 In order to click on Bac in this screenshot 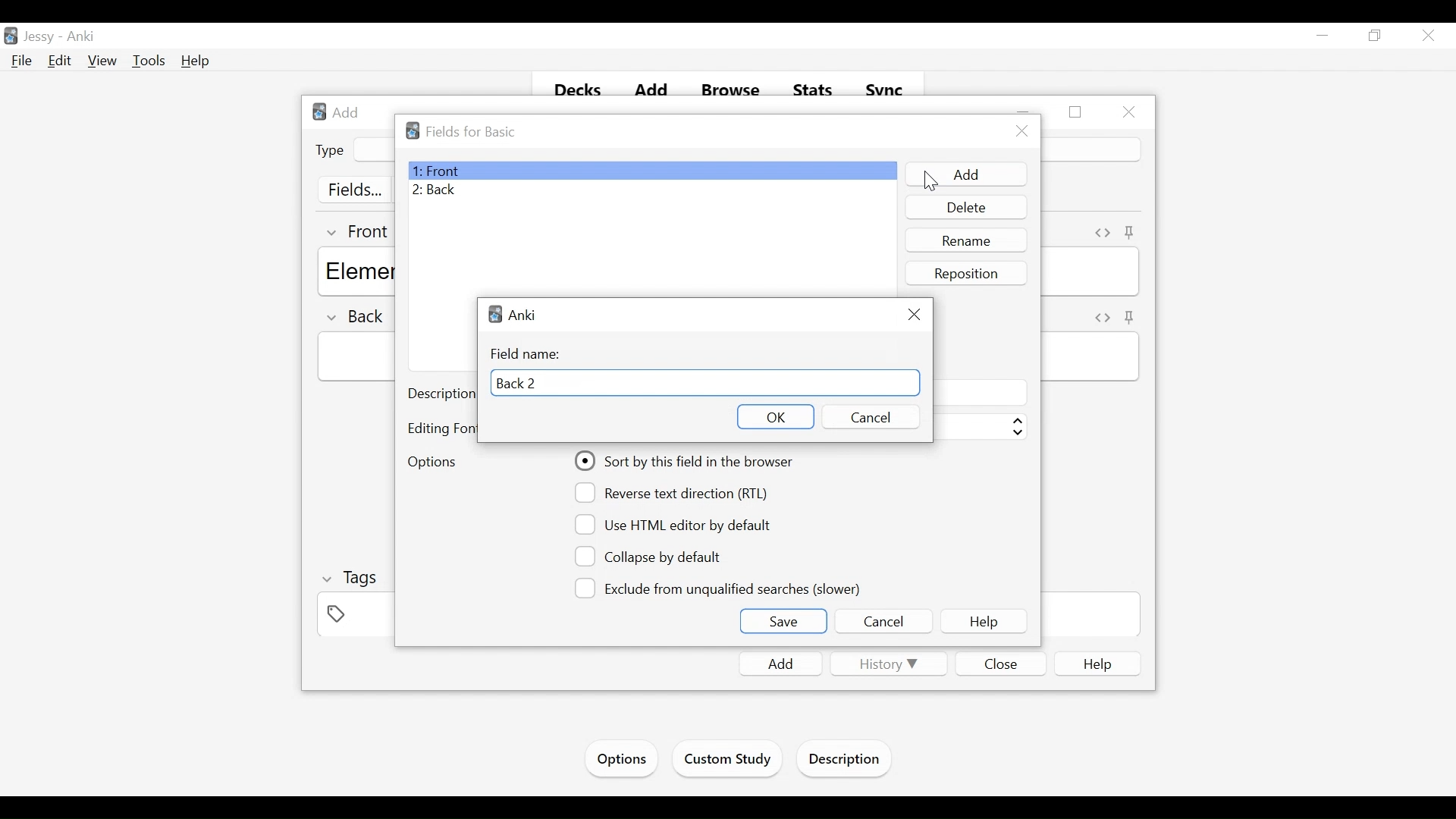, I will do `click(652, 190)`.